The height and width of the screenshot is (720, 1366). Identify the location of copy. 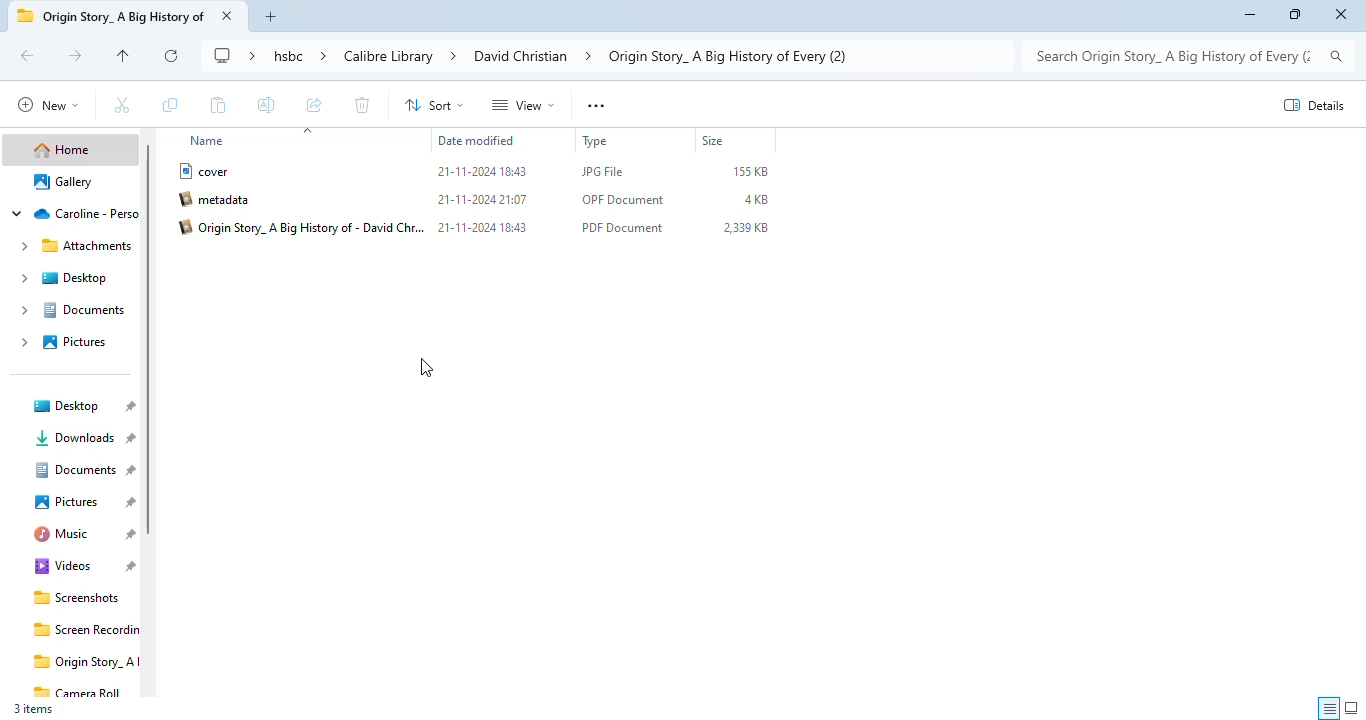
(170, 105).